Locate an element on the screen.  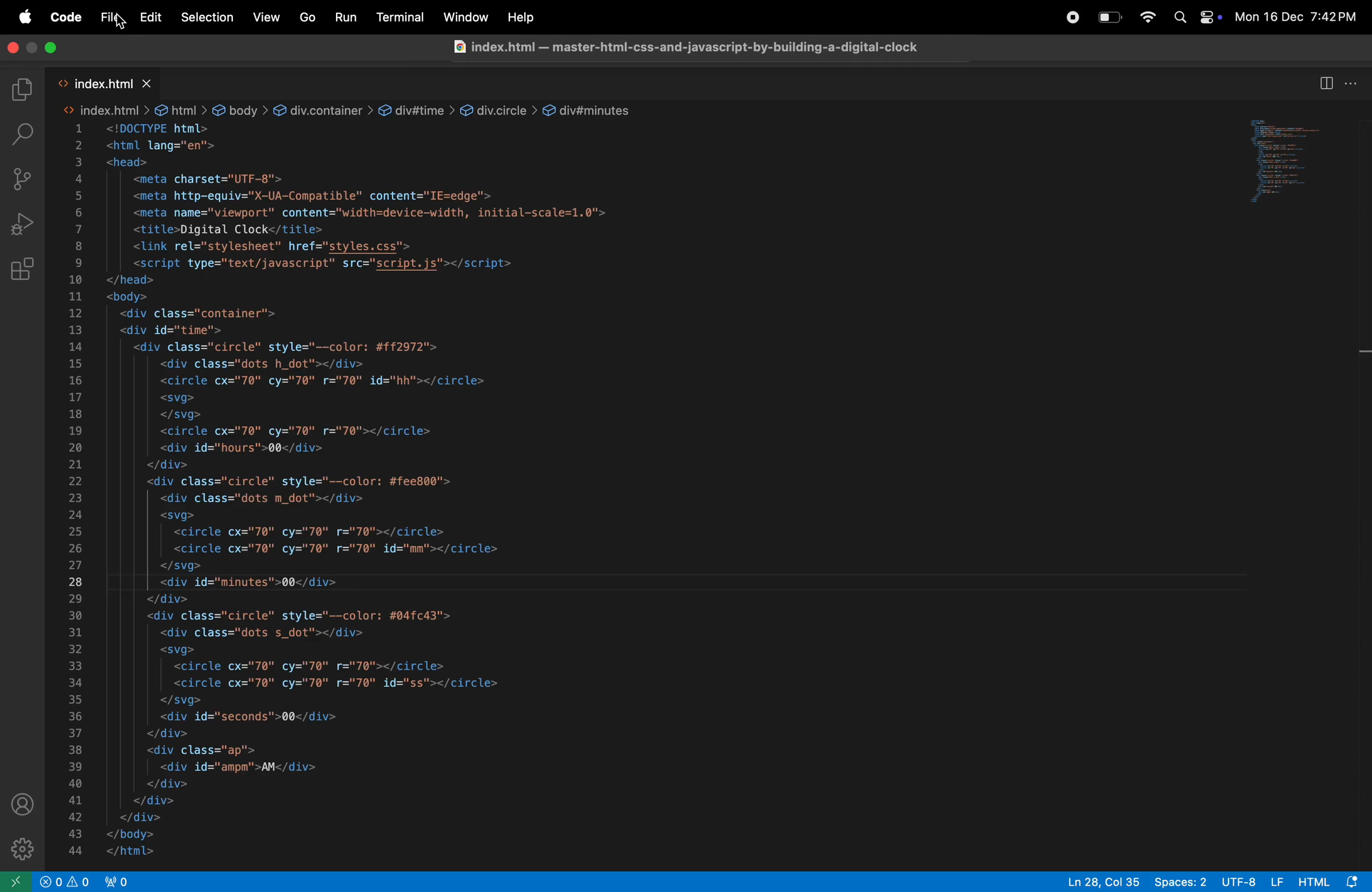
Terminal is located at coordinates (400, 17).